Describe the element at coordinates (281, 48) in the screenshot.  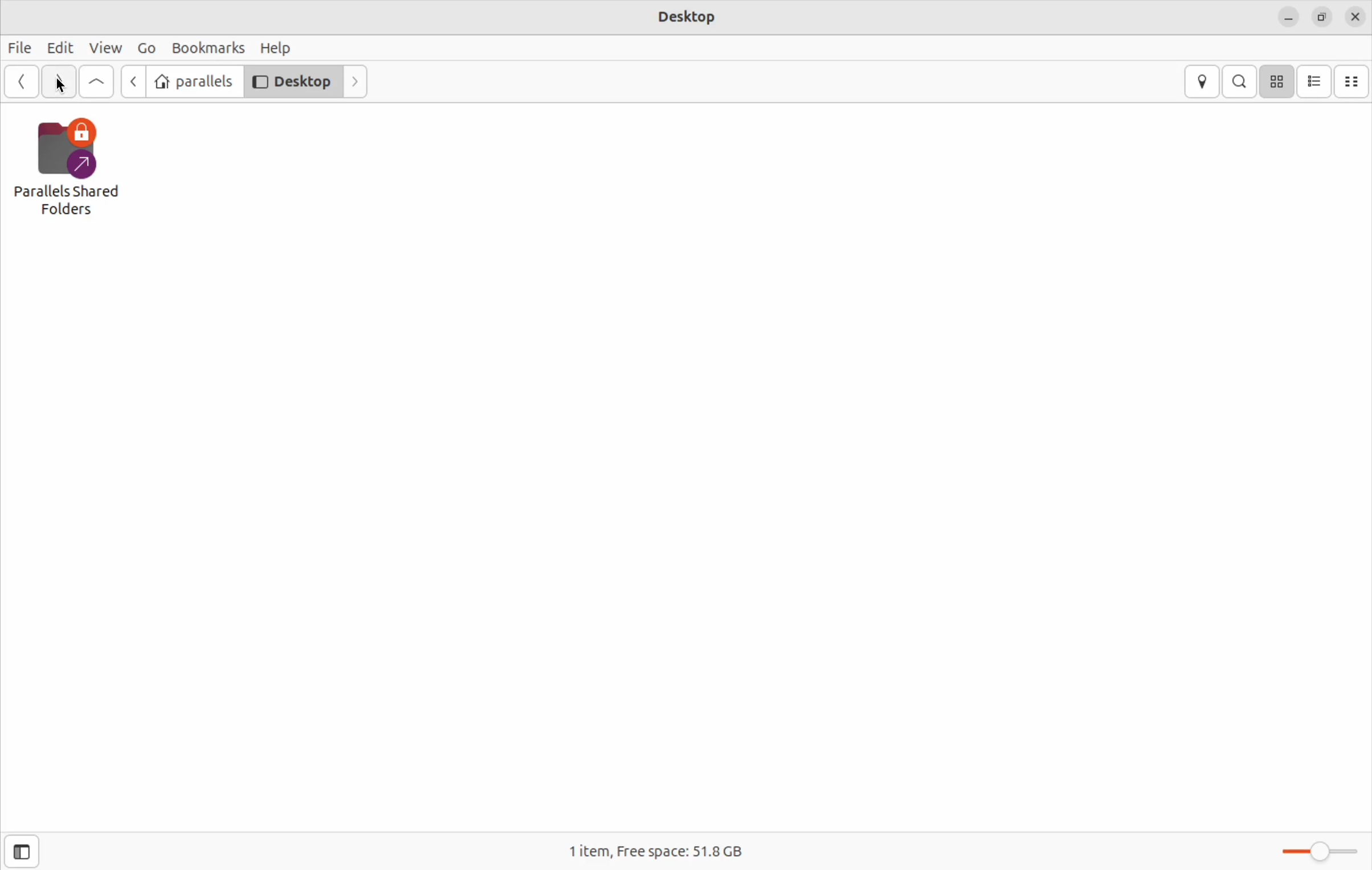
I see `help` at that location.